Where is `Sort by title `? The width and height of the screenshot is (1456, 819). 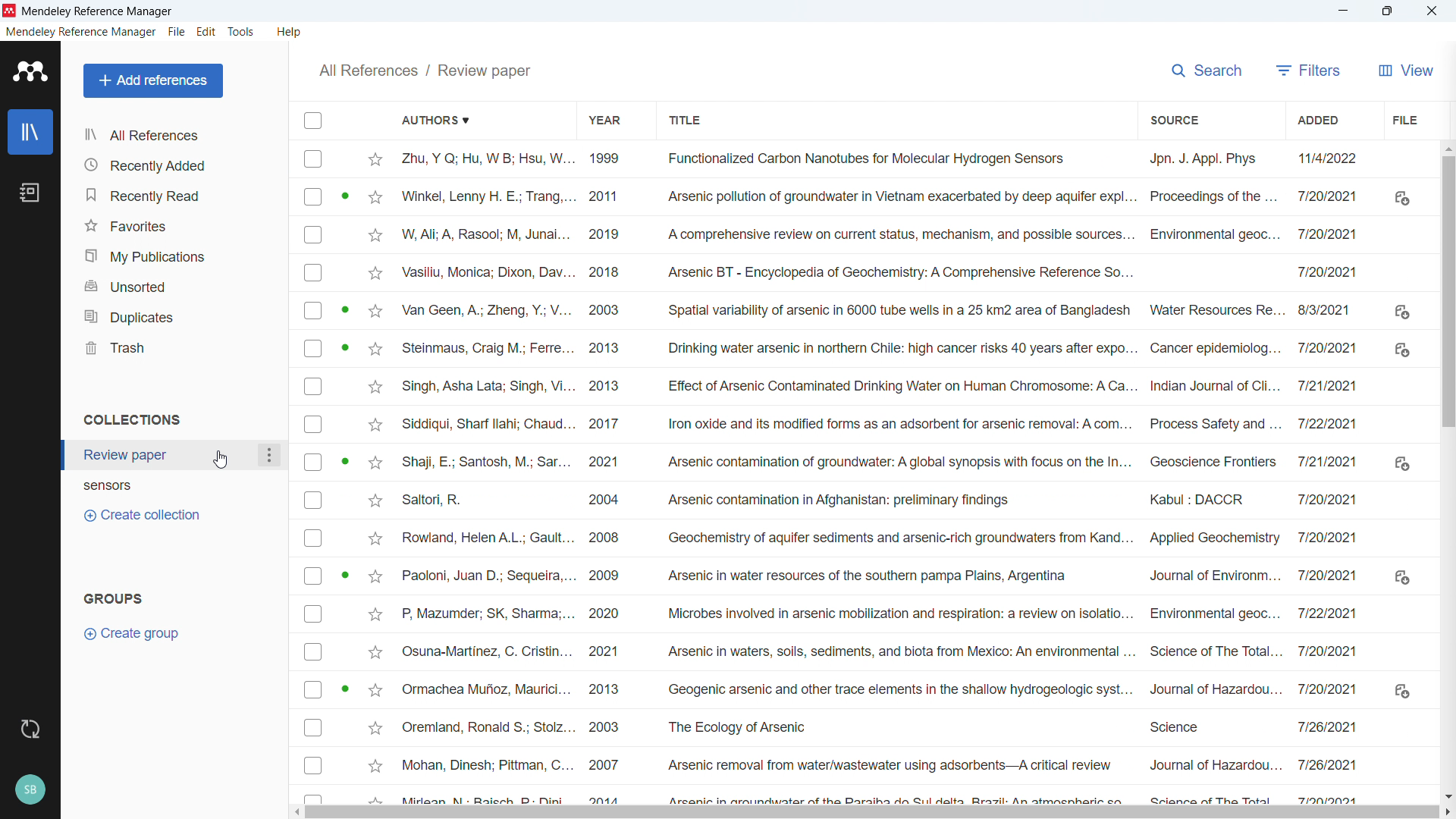 Sort by title  is located at coordinates (686, 120).